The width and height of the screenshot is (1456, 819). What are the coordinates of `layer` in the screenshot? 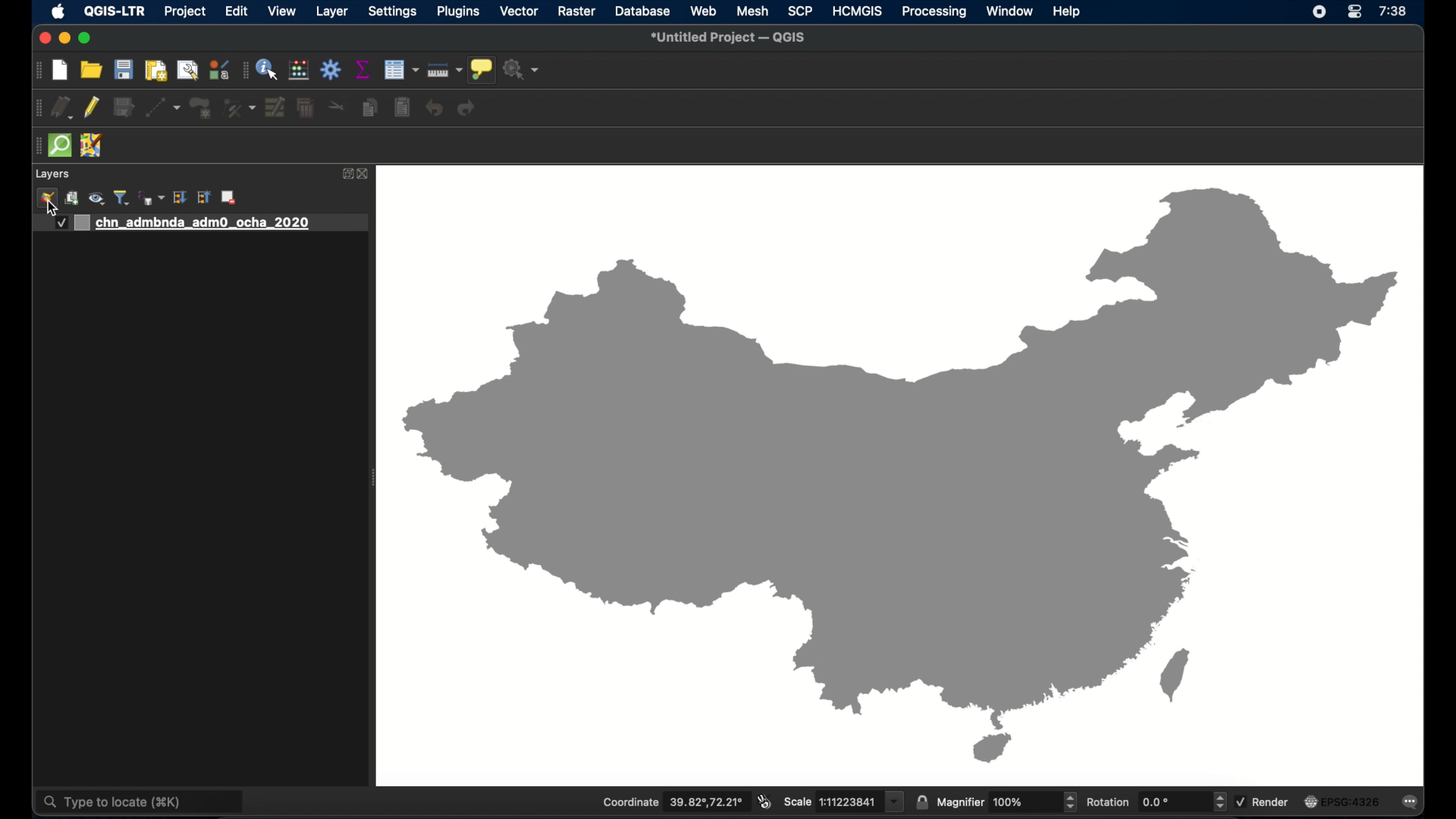 It's located at (332, 12).